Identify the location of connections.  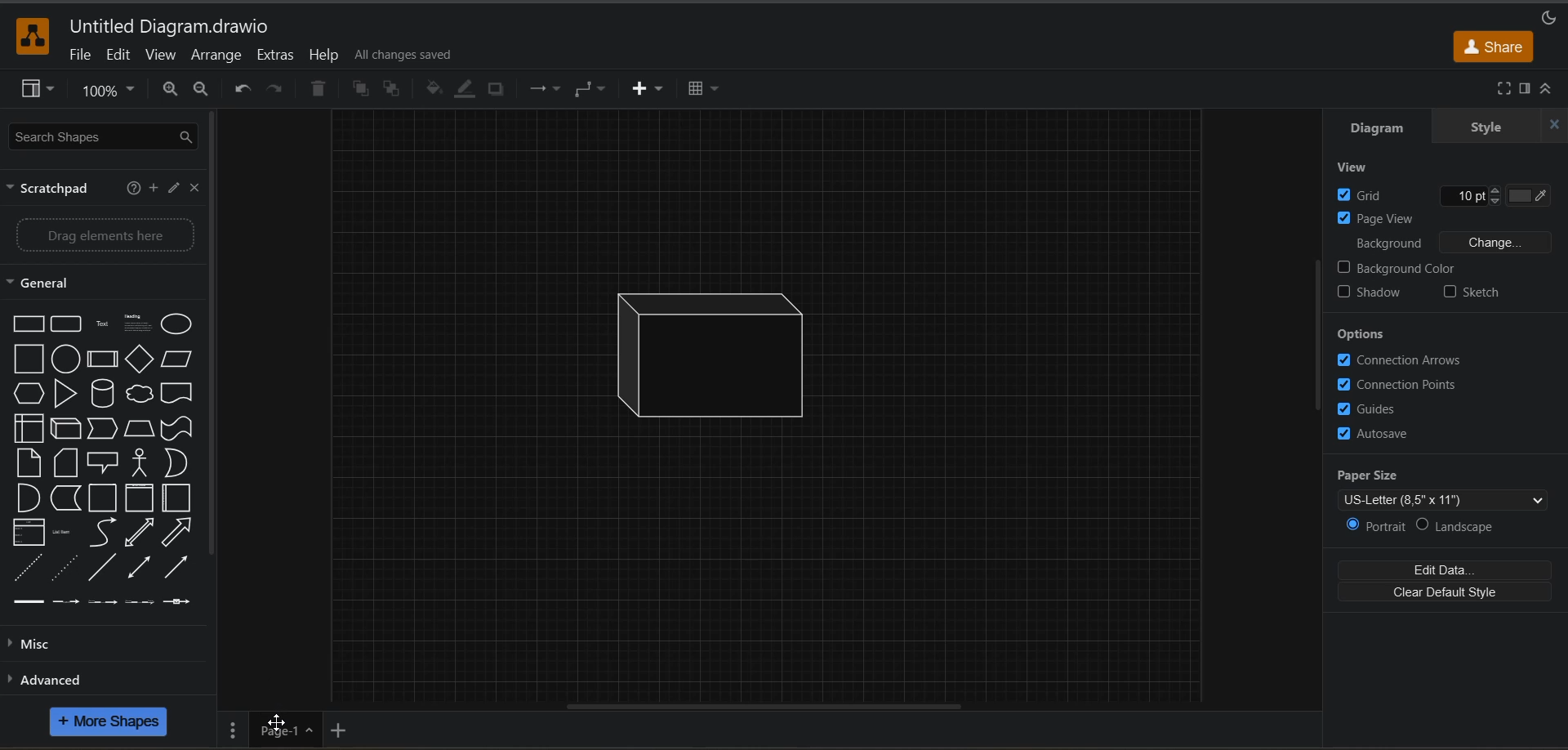
(548, 88).